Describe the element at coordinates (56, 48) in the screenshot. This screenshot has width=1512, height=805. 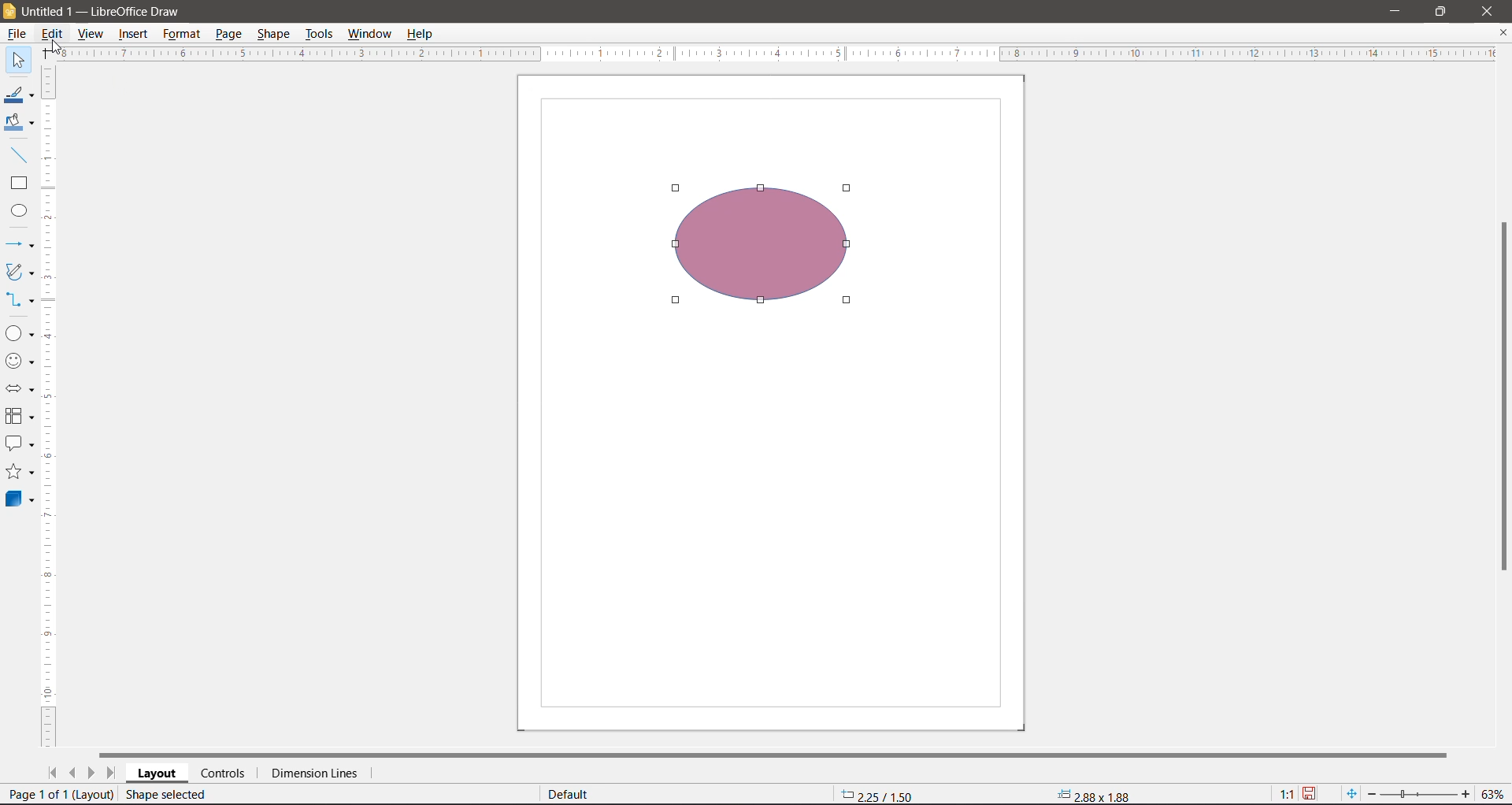
I see `Cursor` at that location.